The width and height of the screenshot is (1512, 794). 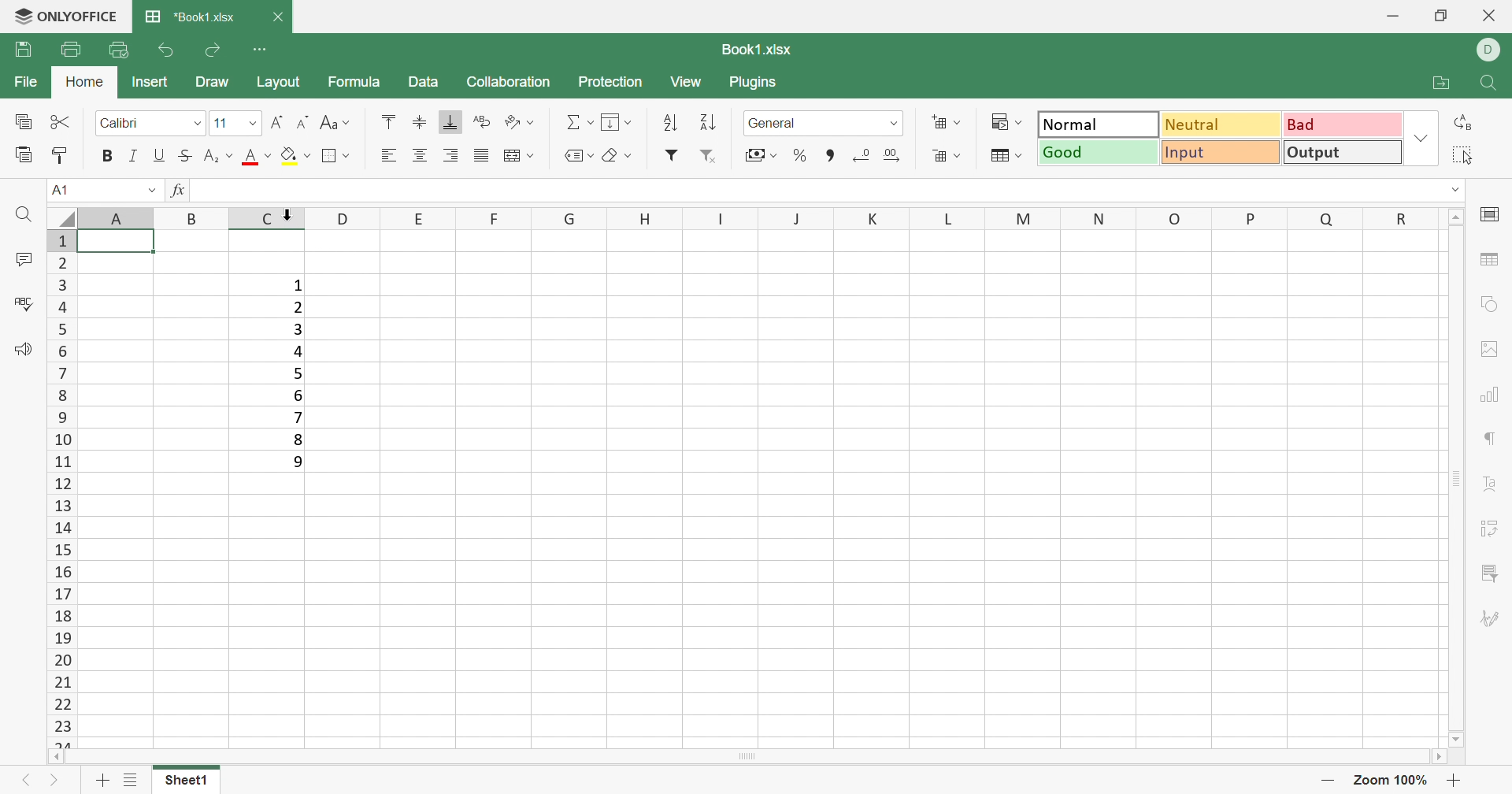 What do you see at coordinates (302, 121) in the screenshot?
I see `Increment font size` at bounding box center [302, 121].